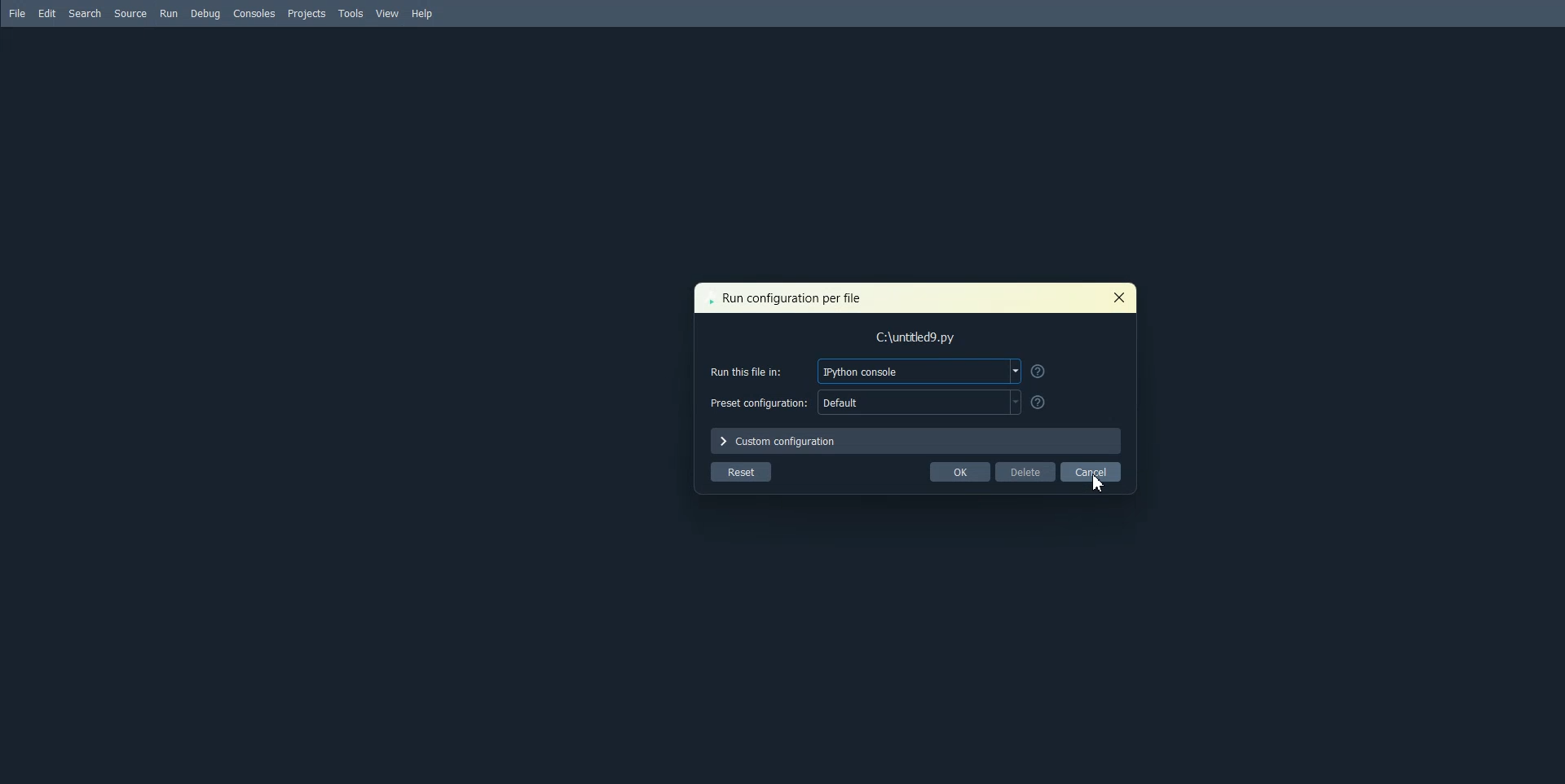 The height and width of the screenshot is (784, 1565). I want to click on Consoles, so click(254, 13).